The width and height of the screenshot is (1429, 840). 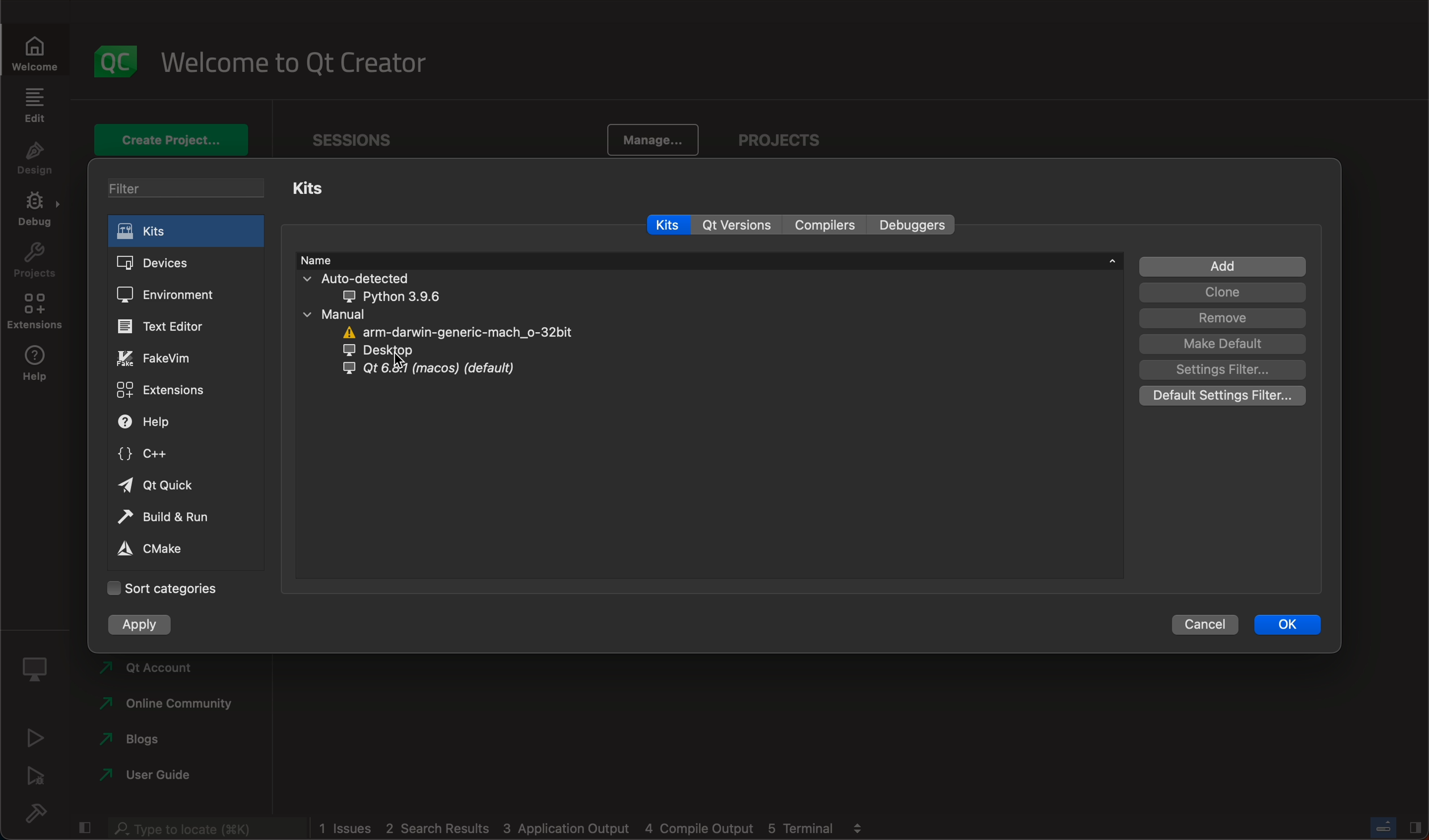 What do you see at coordinates (189, 232) in the screenshot?
I see `kits` at bounding box center [189, 232].